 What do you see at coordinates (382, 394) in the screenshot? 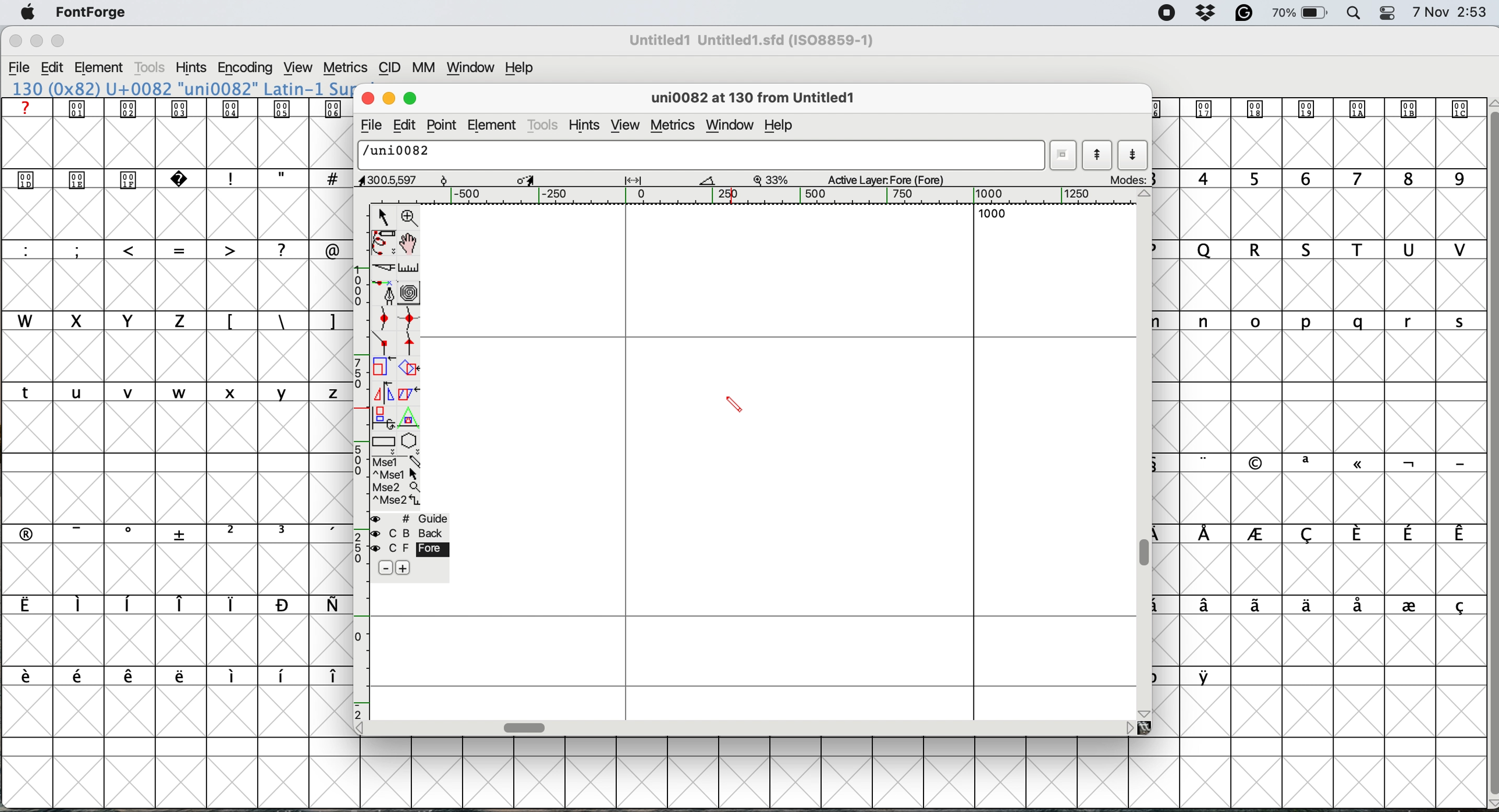
I see `flip selection` at bounding box center [382, 394].